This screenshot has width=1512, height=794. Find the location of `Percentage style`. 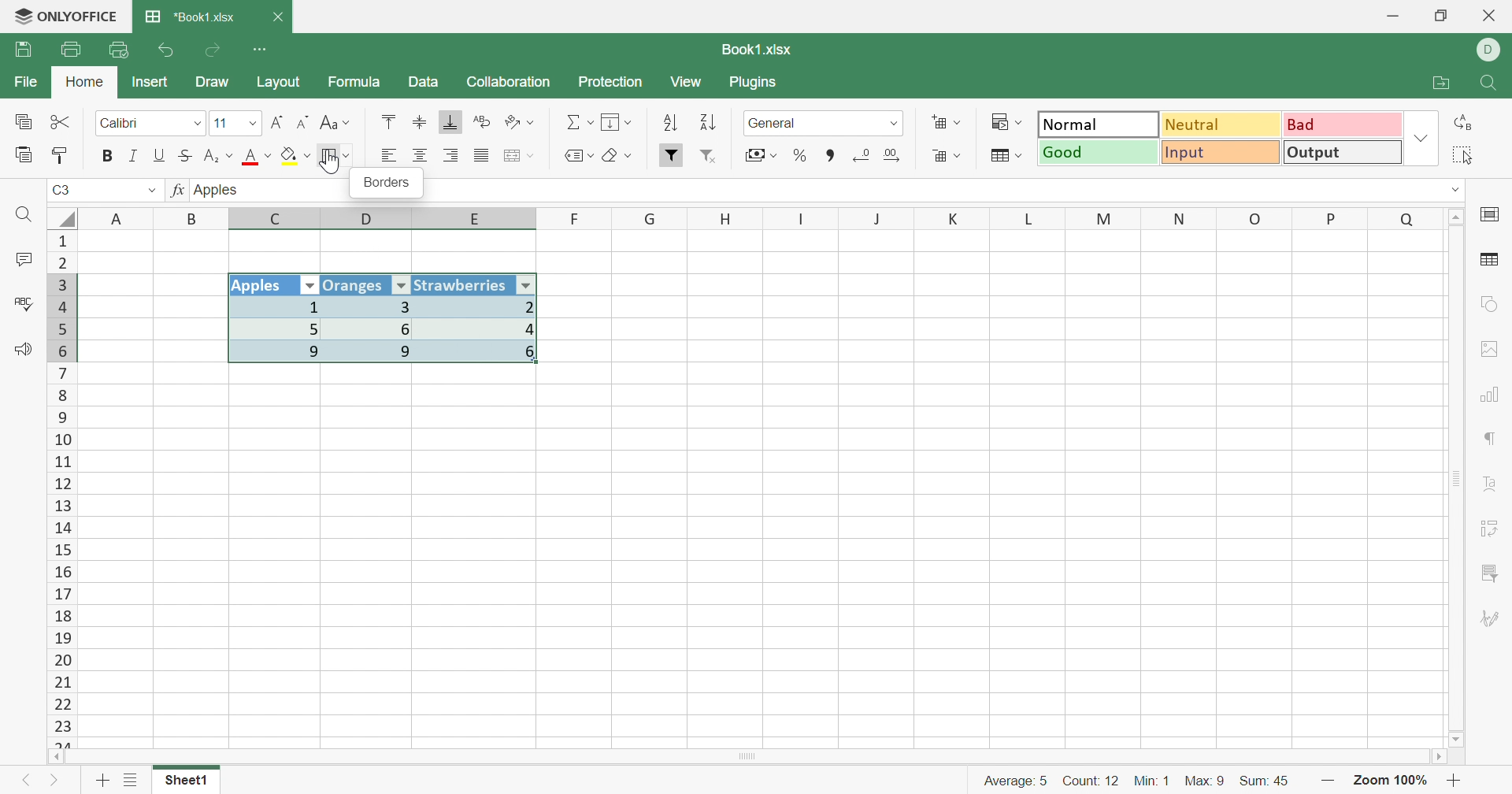

Percentage style is located at coordinates (799, 154).